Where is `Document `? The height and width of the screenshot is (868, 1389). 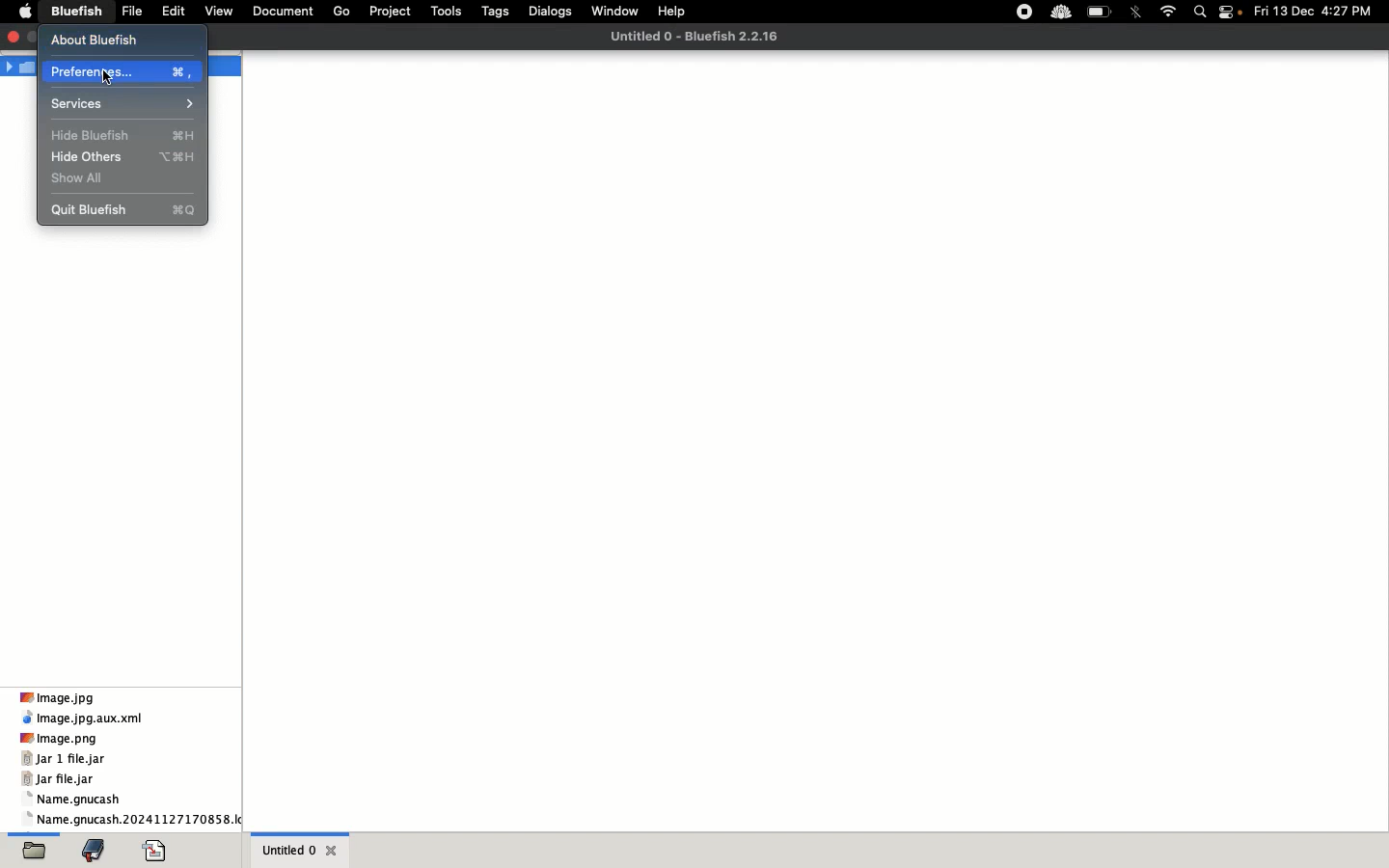
Document  is located at coordinates (282, 13).